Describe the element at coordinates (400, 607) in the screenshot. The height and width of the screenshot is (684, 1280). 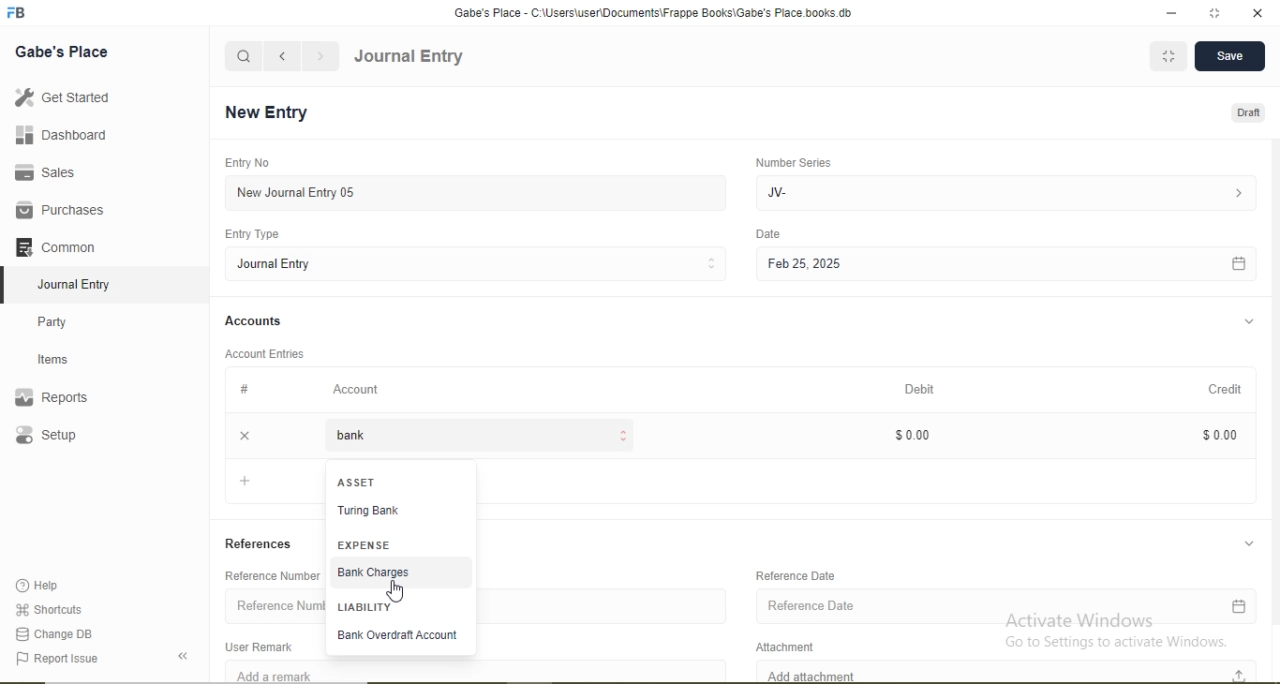
I see `Liability` at that location.